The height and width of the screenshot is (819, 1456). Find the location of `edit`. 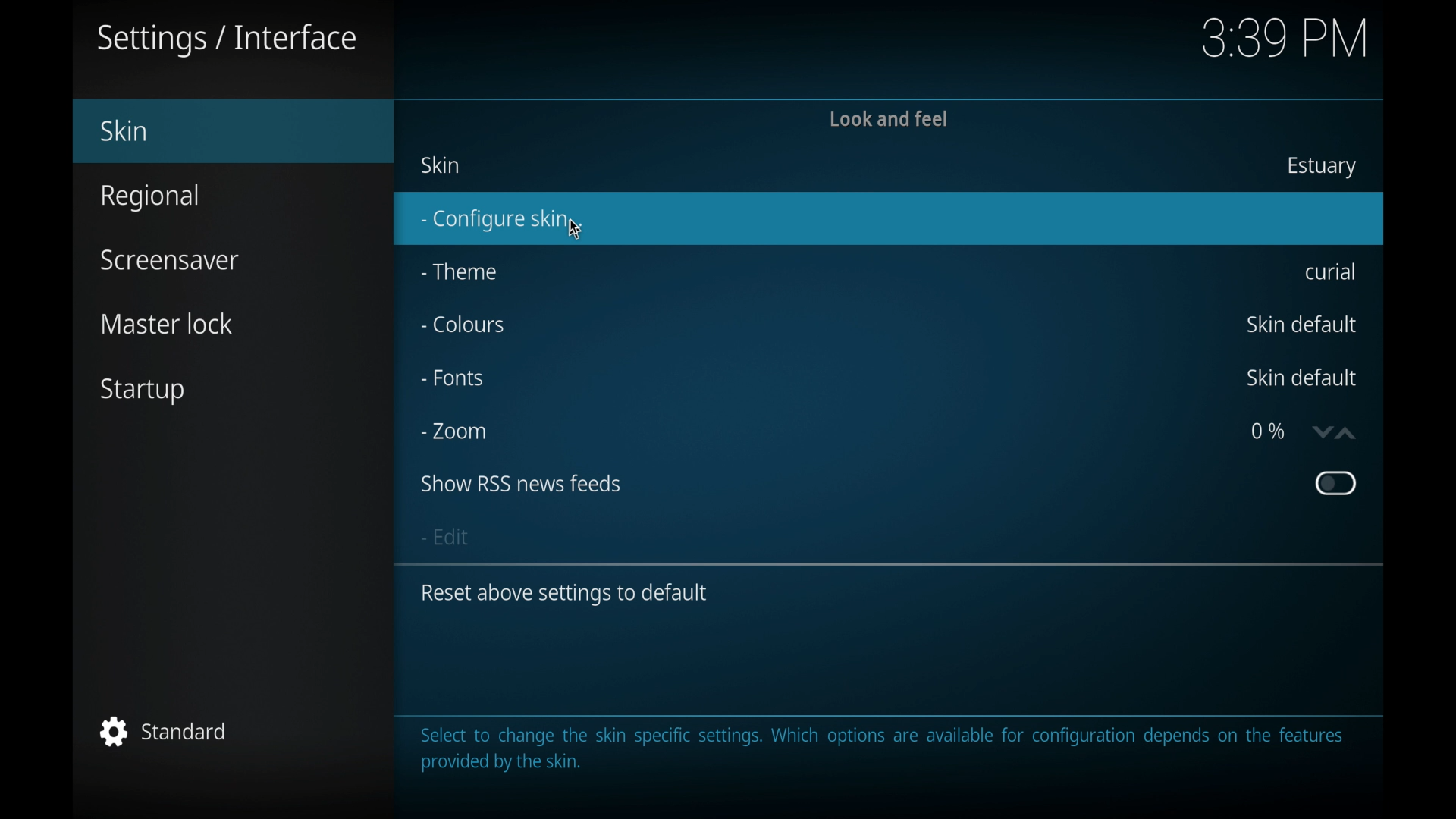

edit is located at coordinates (446, 536).